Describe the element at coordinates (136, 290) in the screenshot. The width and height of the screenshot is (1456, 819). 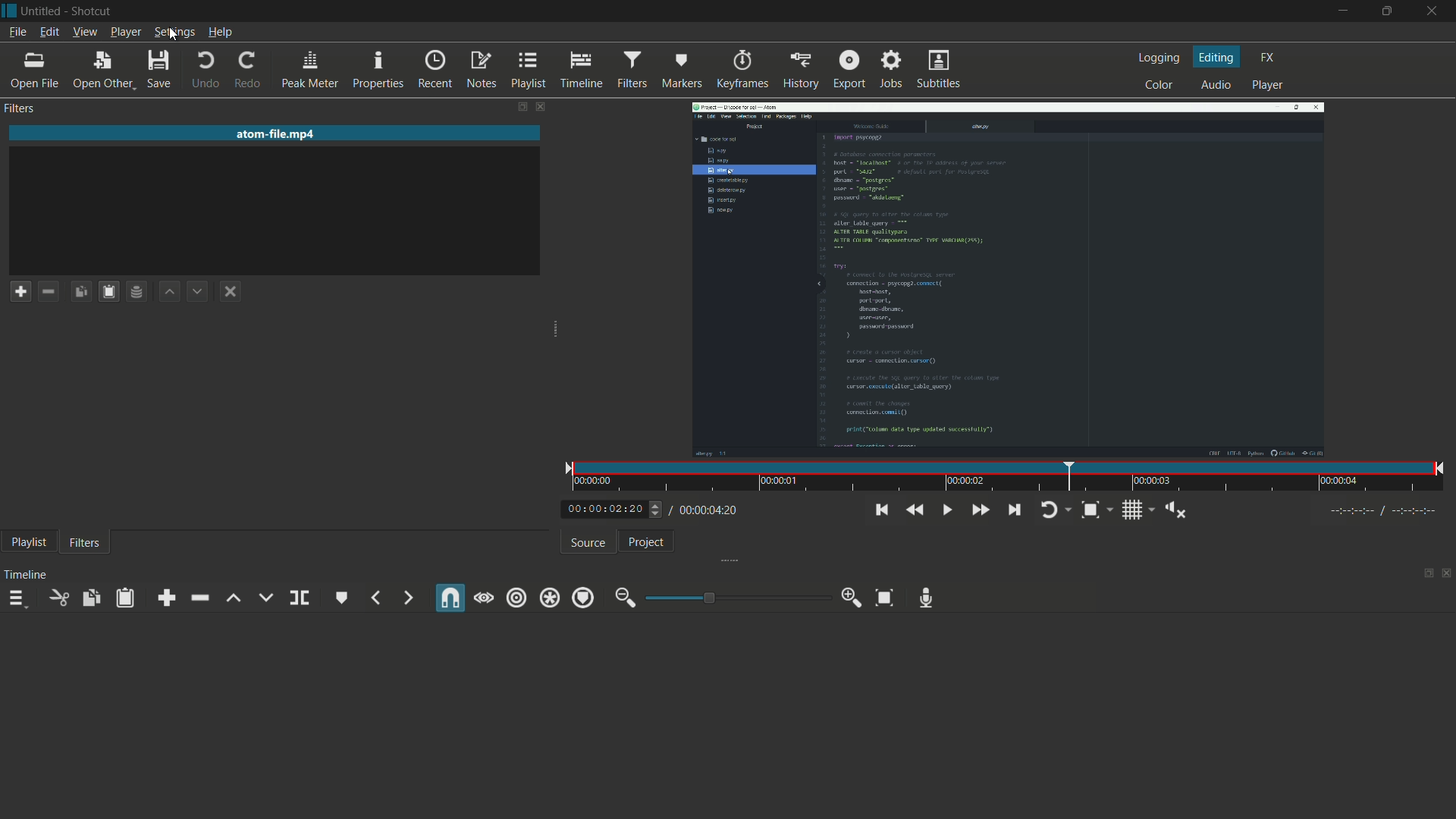
I see `save filter set` at that location.